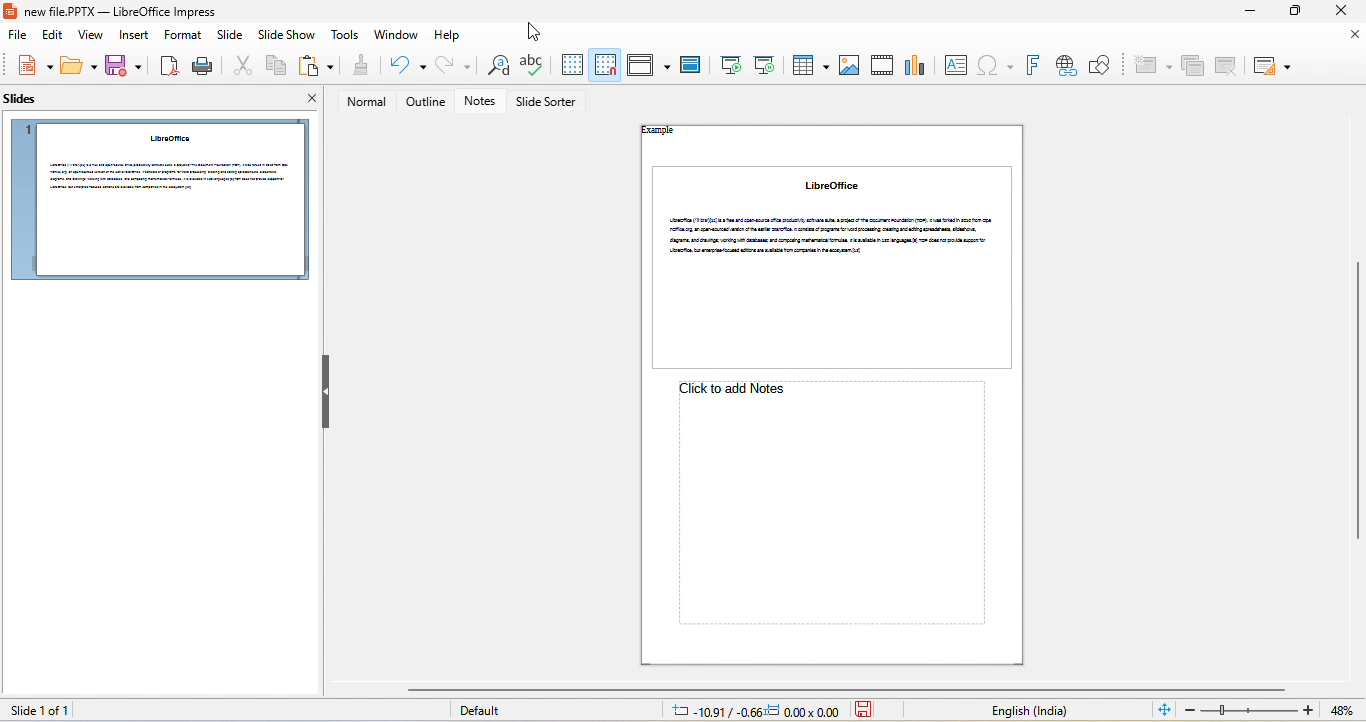 Image resolution: width=1366 pixels, height=722 pixels. What do you see at coordinates (995, 66) in the screenshot?
I see `special character` at bounding box center [995, 66].